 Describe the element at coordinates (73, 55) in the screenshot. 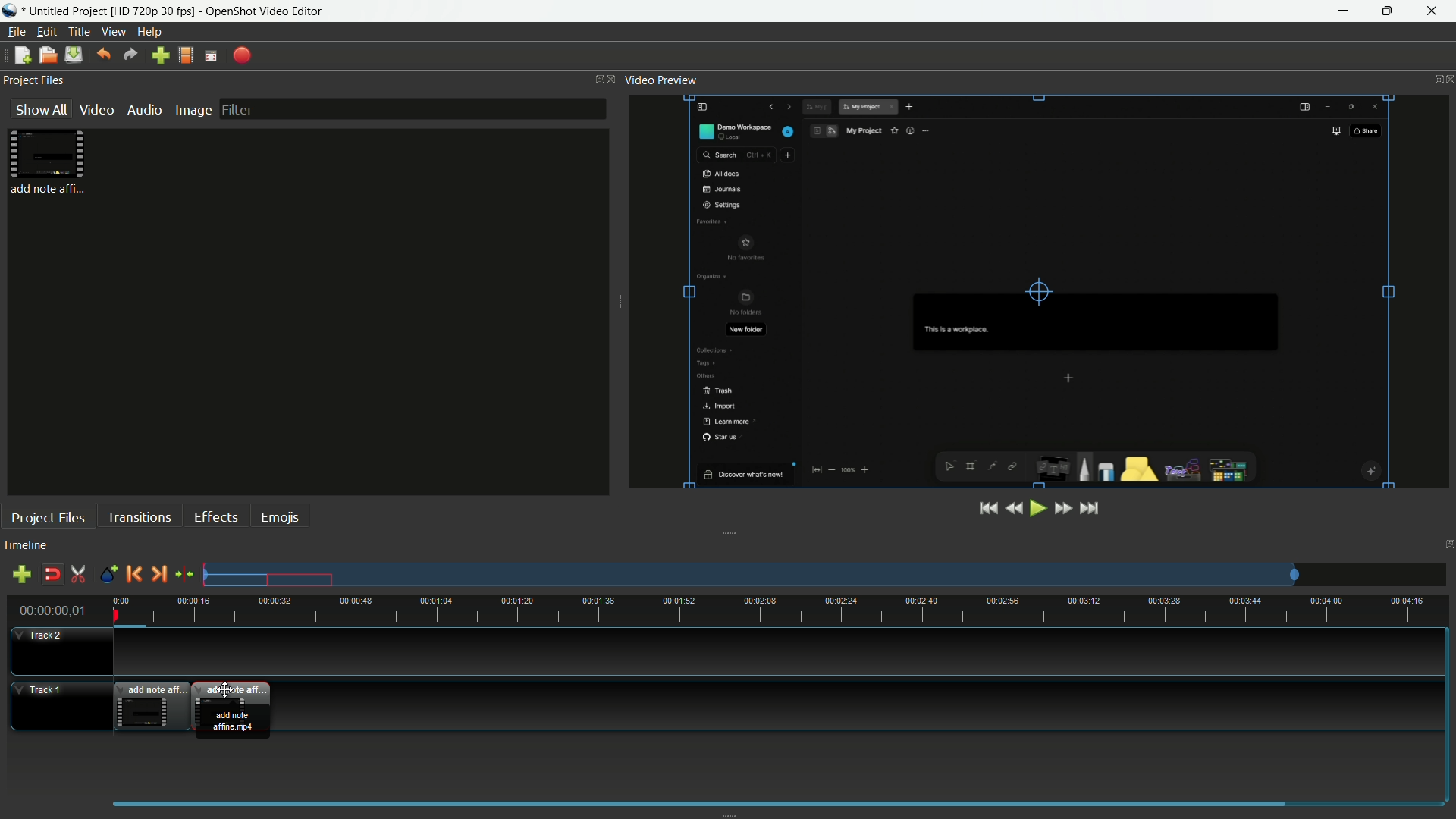

I see `save files` at that location.